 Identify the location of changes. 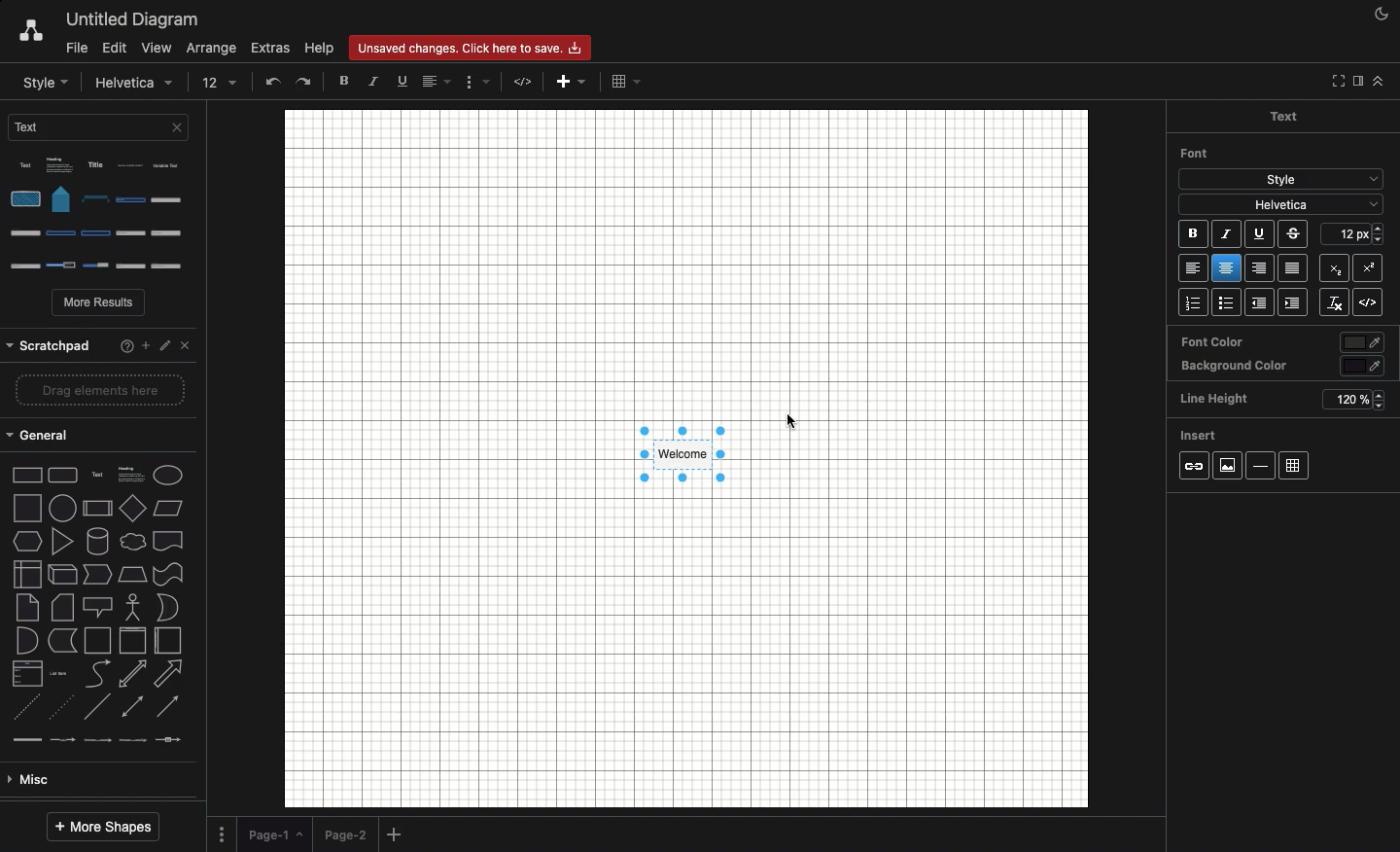
(475, 47).